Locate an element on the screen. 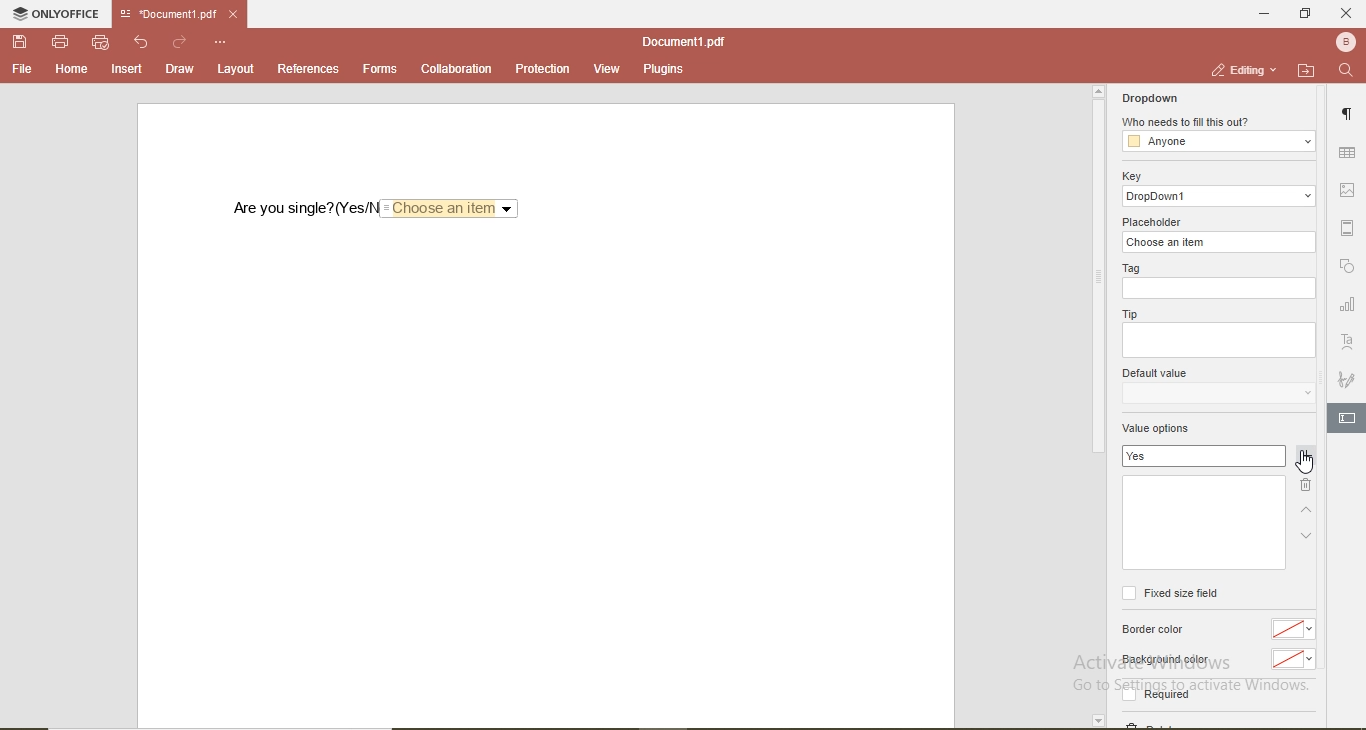 Image resolution: width=1366 pixels, height=730 pixels. Required is located at coordinates (1158, 694).